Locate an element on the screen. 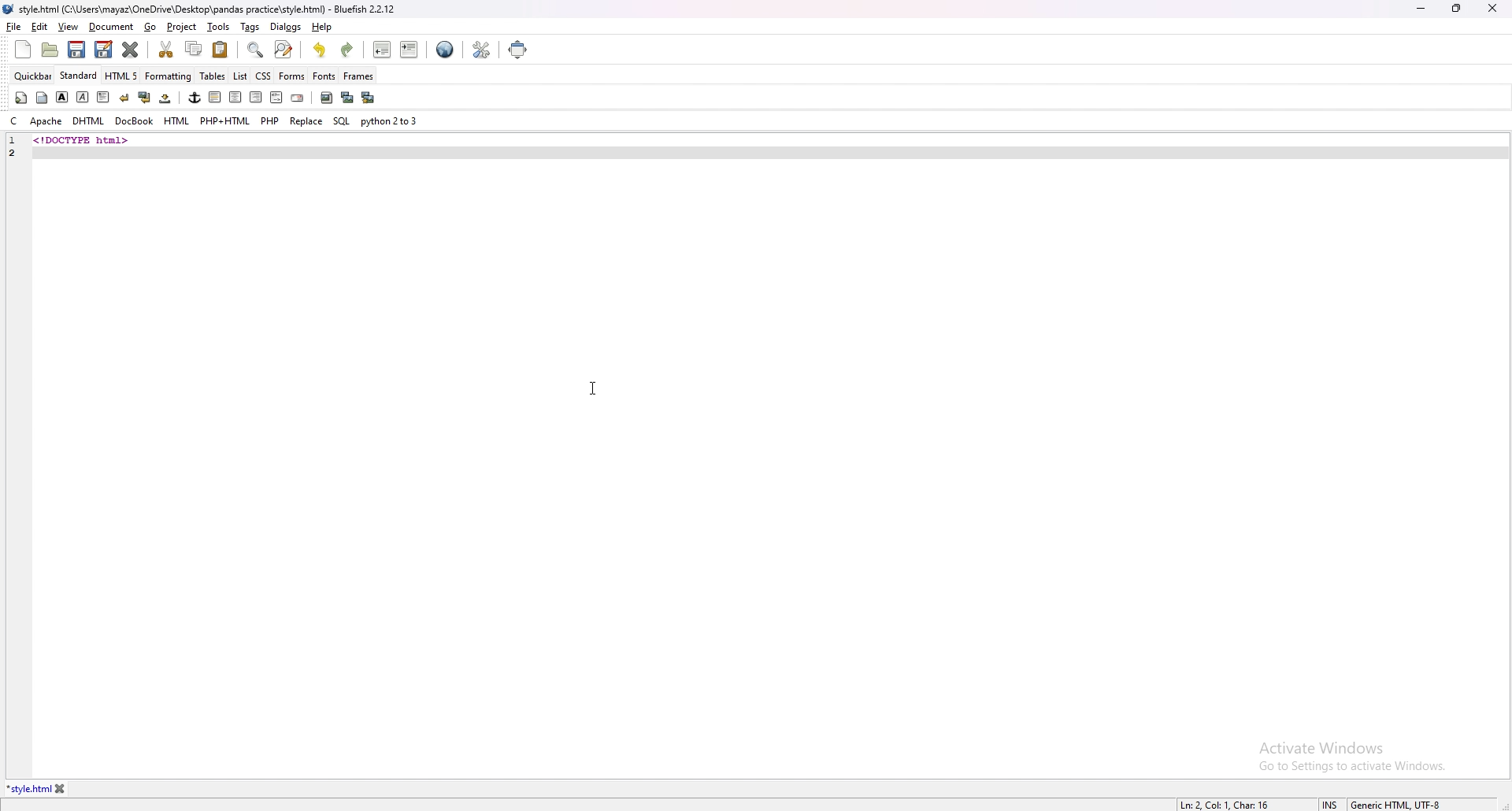  encoding is located at coordinates (1395, 803).